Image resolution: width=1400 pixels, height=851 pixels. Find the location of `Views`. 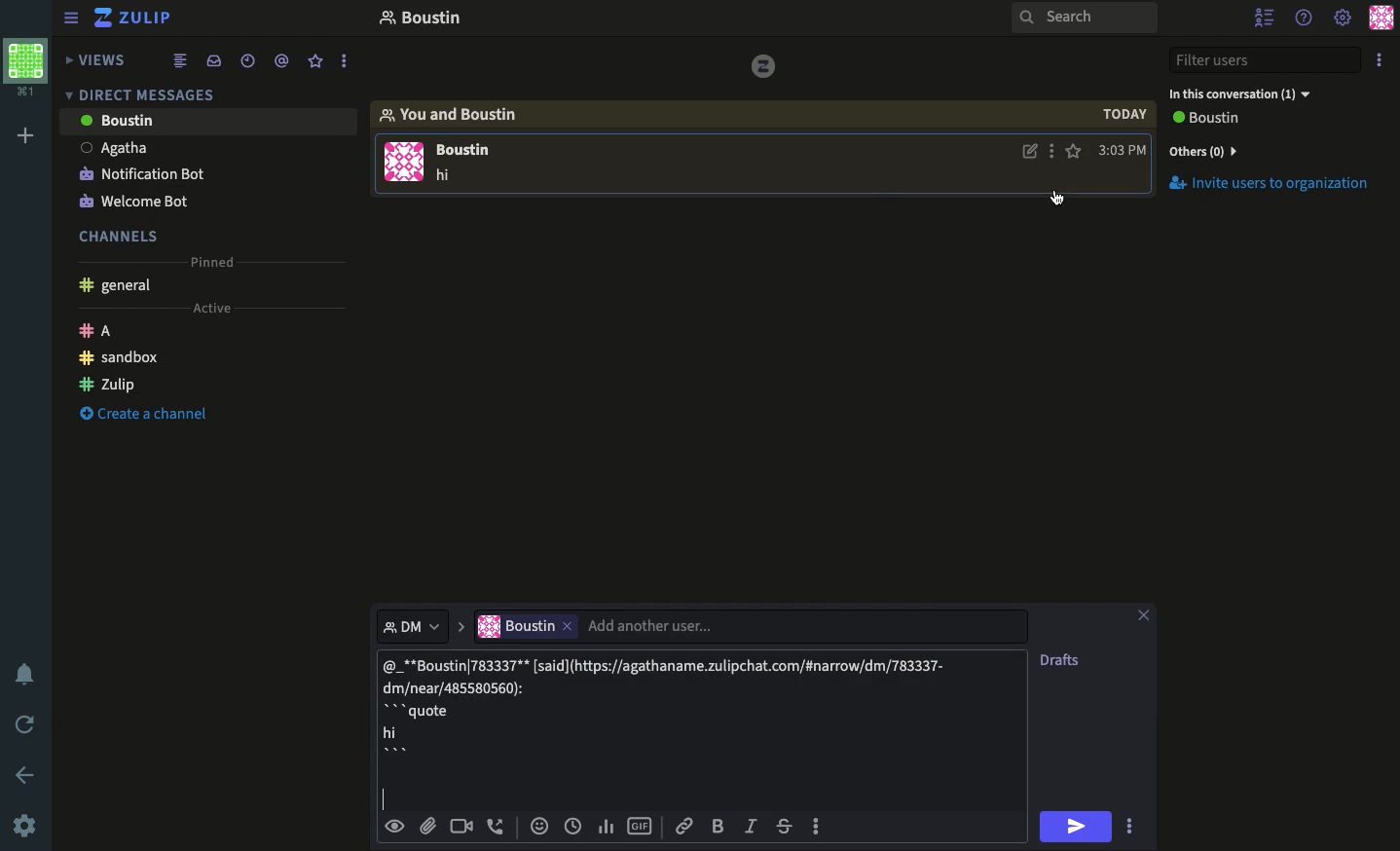

Views is located at coordinates (100, 57).